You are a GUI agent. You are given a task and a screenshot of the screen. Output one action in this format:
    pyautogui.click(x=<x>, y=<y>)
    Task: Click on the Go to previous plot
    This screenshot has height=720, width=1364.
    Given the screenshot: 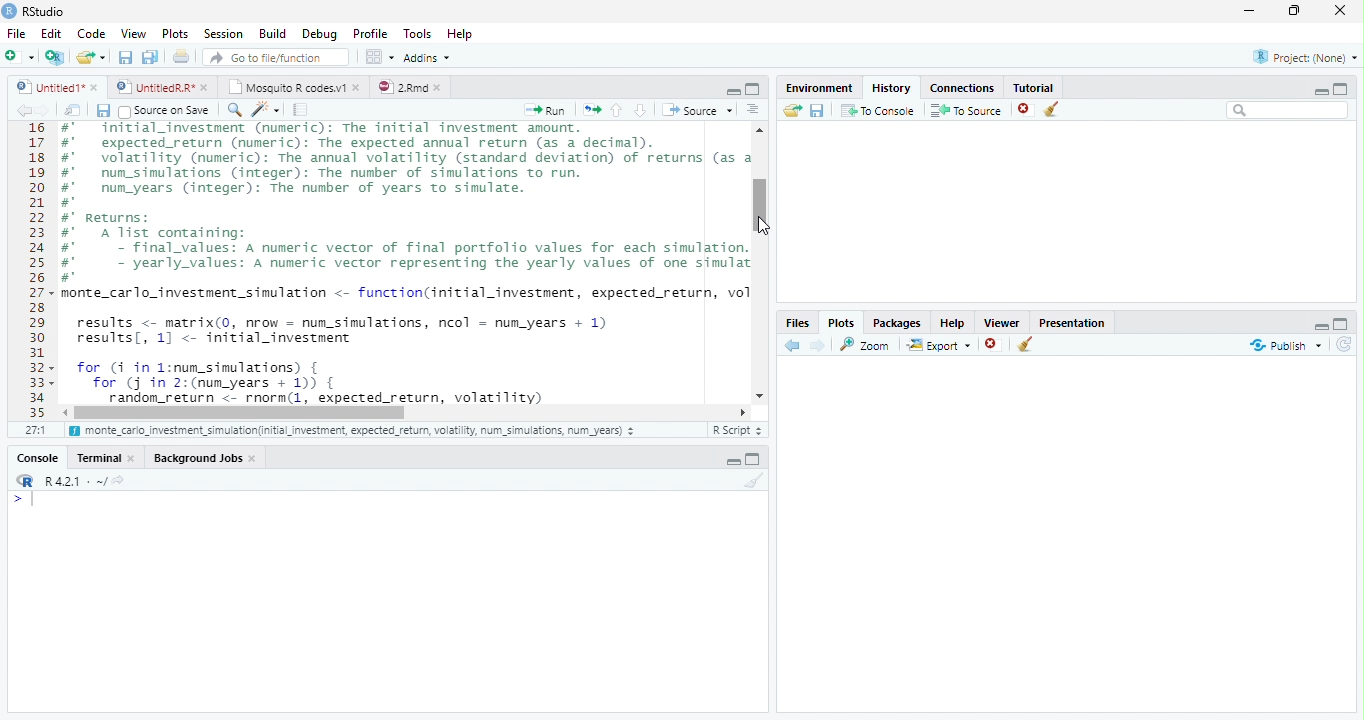 What is the action you would take?
    pyautogui.click(x=793, y=345)
    